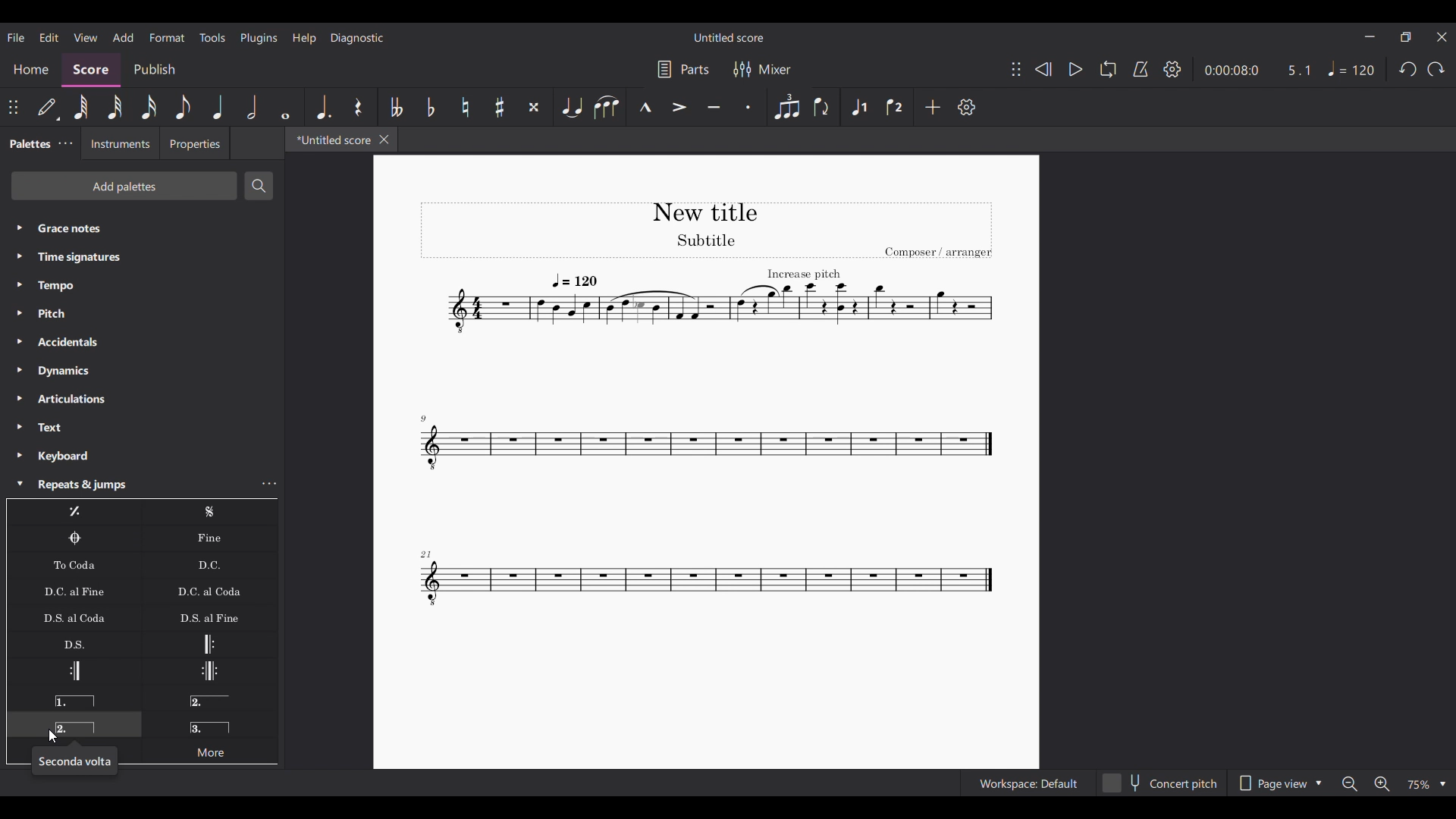 The image size is (1456, 819). What do you see at coordinates (1351, 69) in the screenshot?
I see `Tempo` at bounding box center [1351, 69].